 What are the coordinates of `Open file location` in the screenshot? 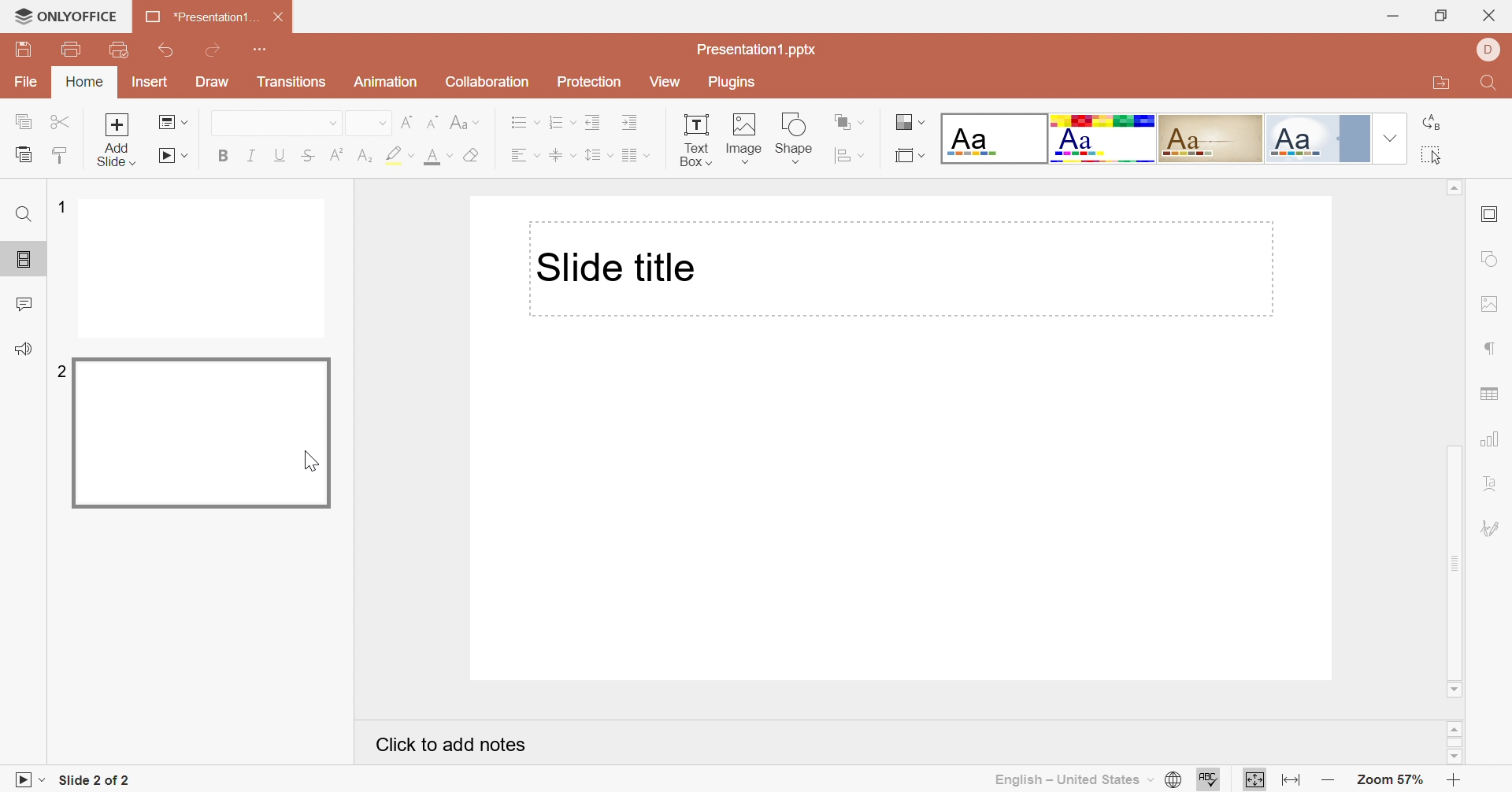 It's located at (1436, 83).